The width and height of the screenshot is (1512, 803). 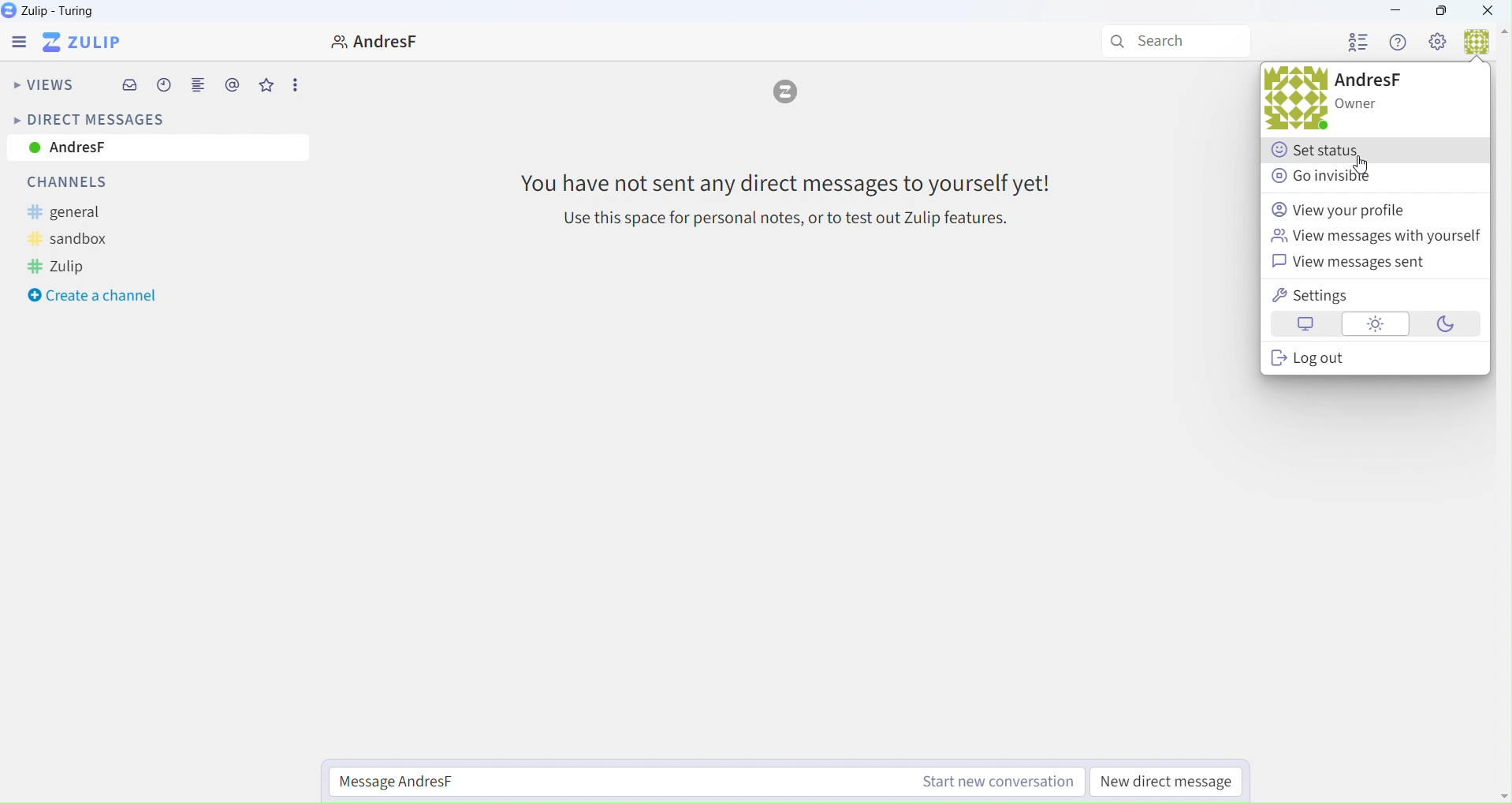 I want to click on cursor, so click(x=1362, y=166).